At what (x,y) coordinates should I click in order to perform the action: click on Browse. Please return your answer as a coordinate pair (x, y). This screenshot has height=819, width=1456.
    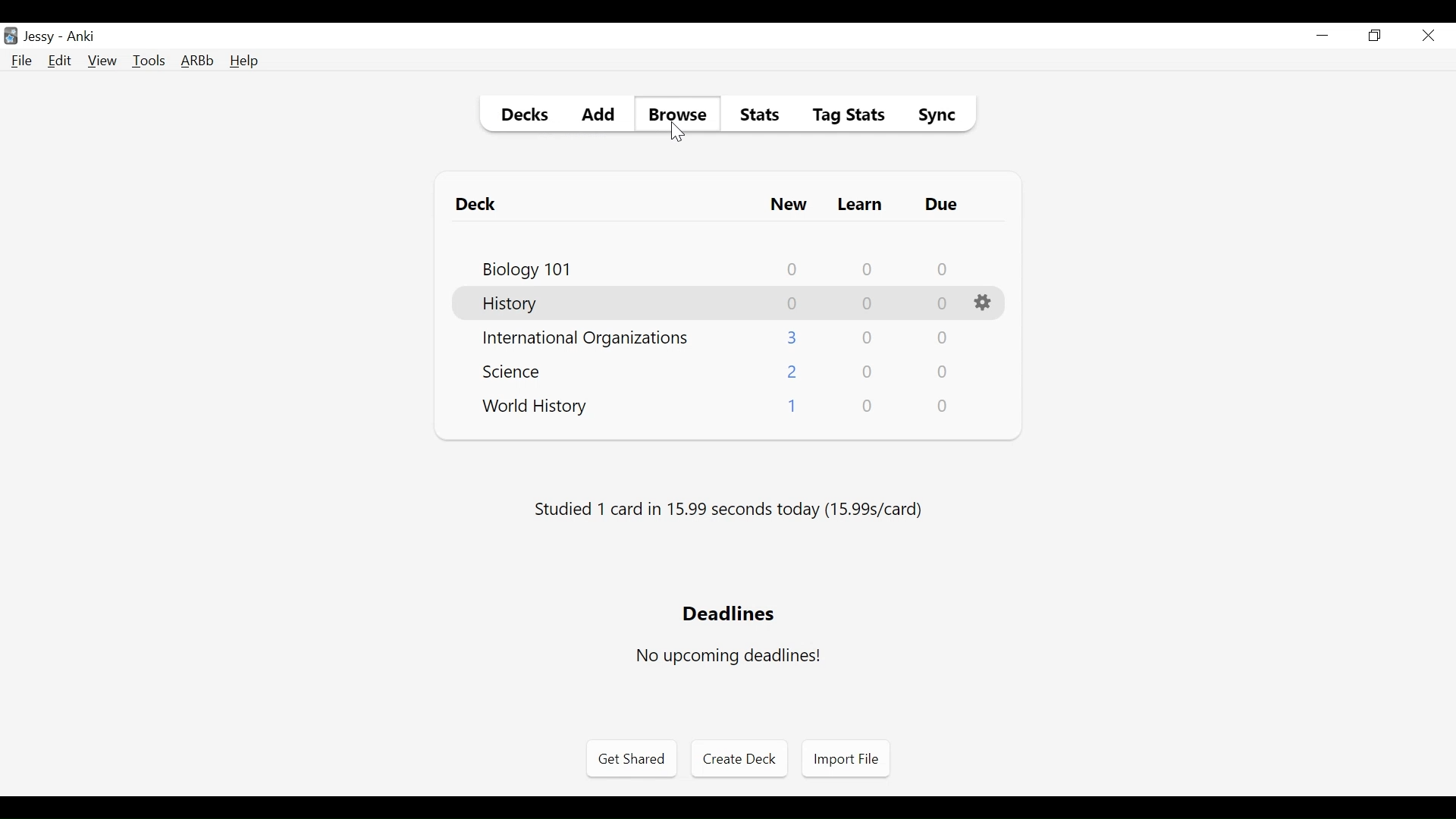
    Looking at the image, I should click on (676, 114).